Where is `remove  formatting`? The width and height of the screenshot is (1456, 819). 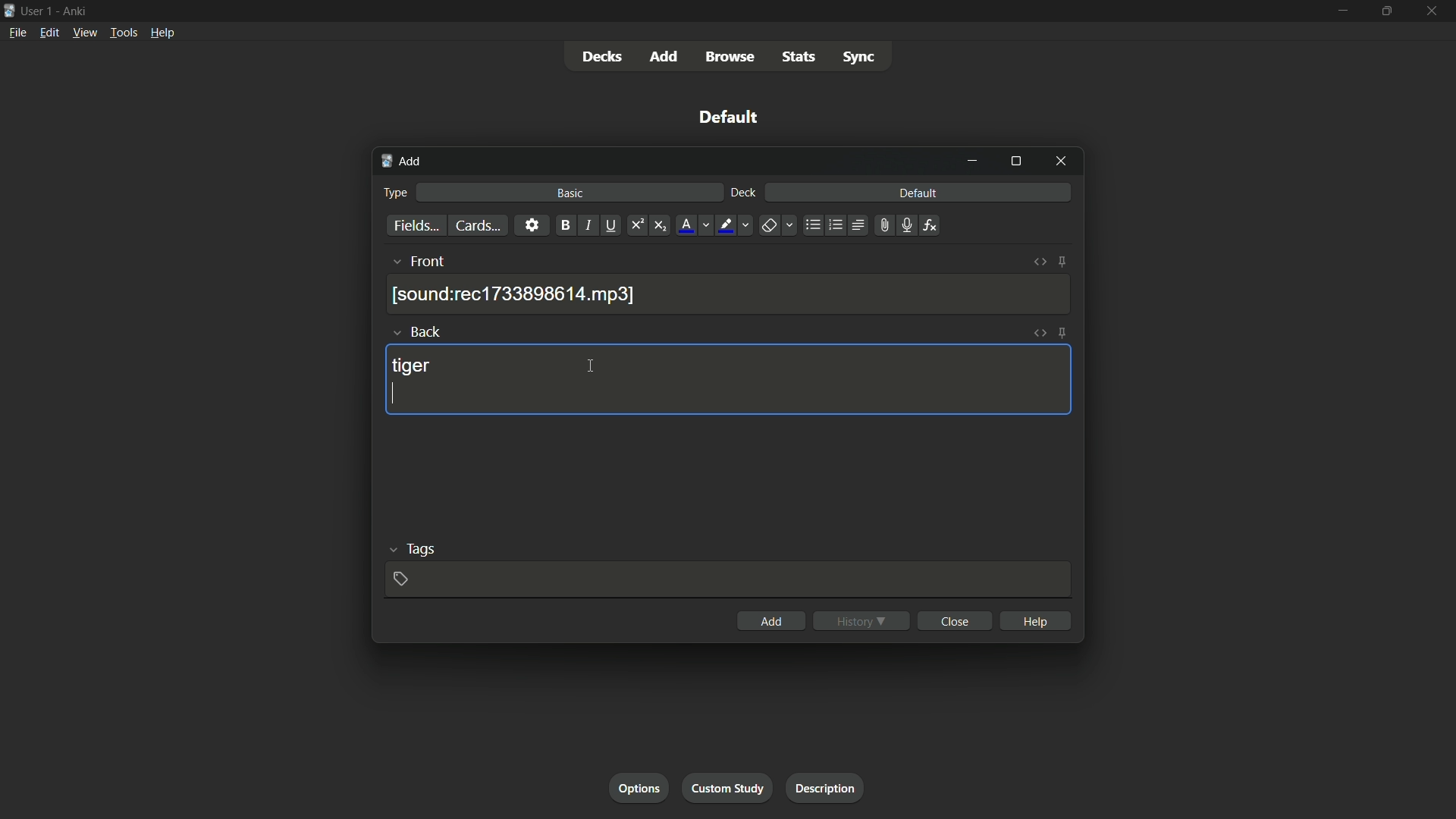
remove  formatting is located at coordinates (768, 226).